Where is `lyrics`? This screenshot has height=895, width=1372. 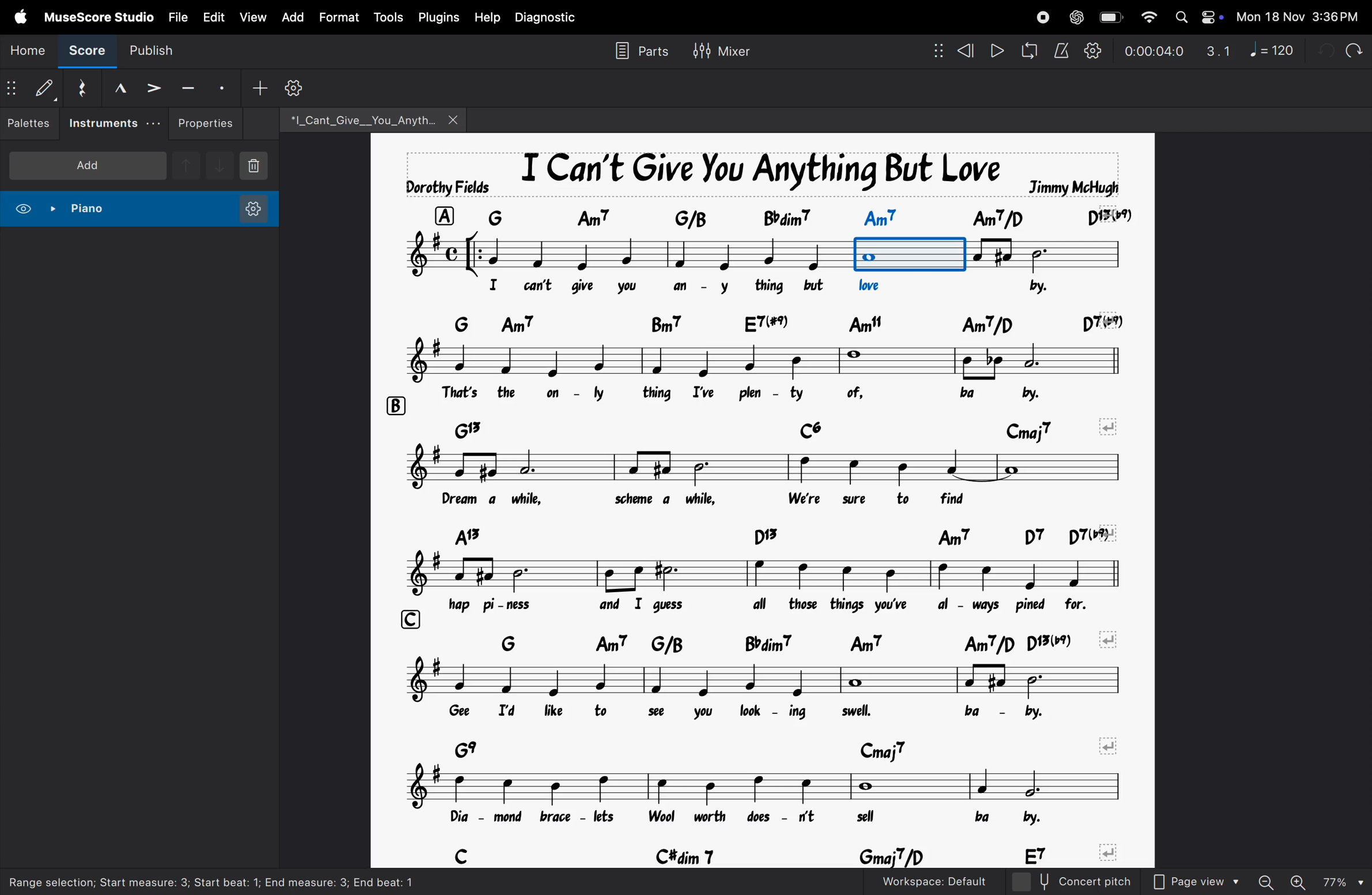
lyrics is located at coordinates (787, 717).